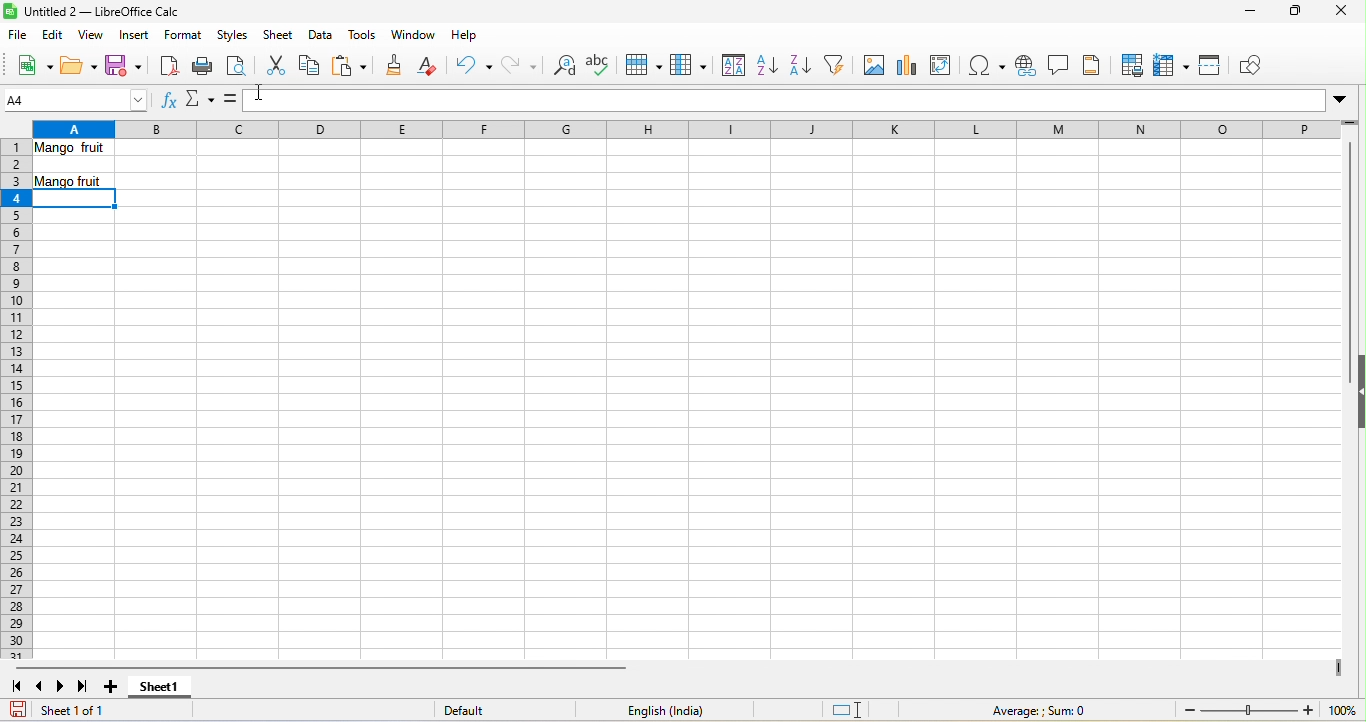 The height and width of the screenshot is (722, 1366). What do you see at coordinates (123, 64) in the screenshot?
I see `save` at bounding box center [123, 64].